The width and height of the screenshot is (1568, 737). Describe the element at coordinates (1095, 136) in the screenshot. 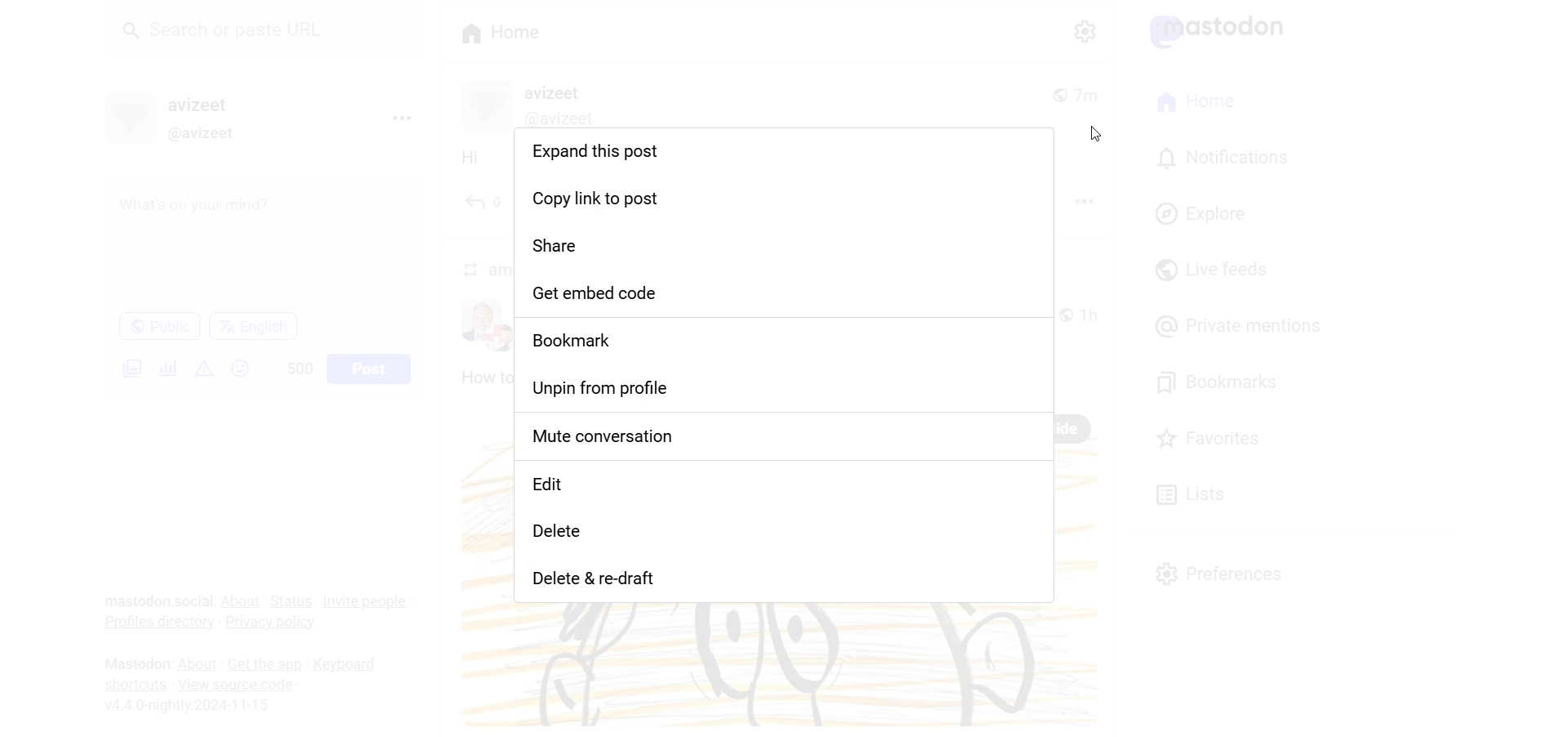

I see `cursor` at that location.